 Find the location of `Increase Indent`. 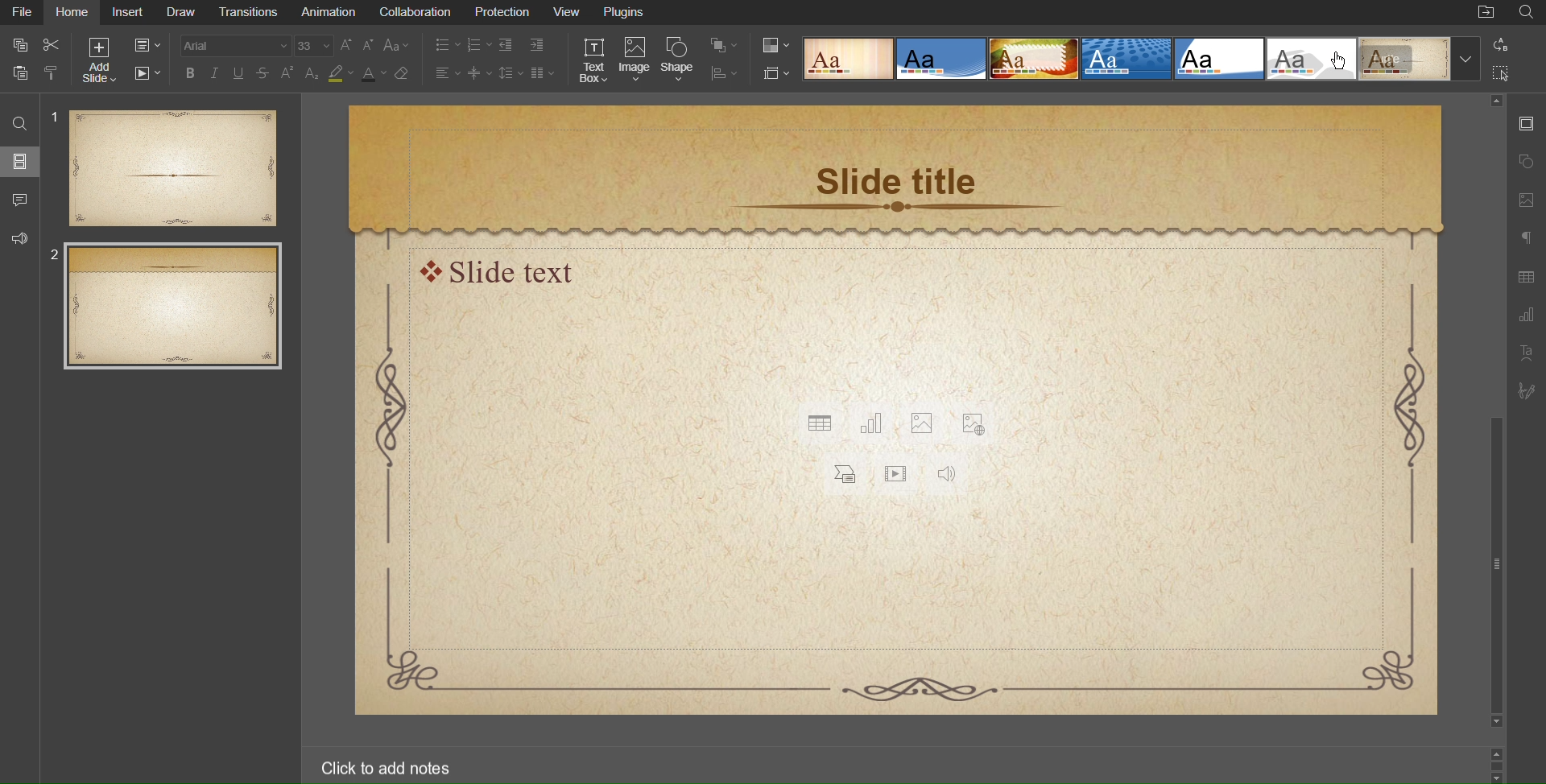

Increase Indent is located at coordinates (539, 45).